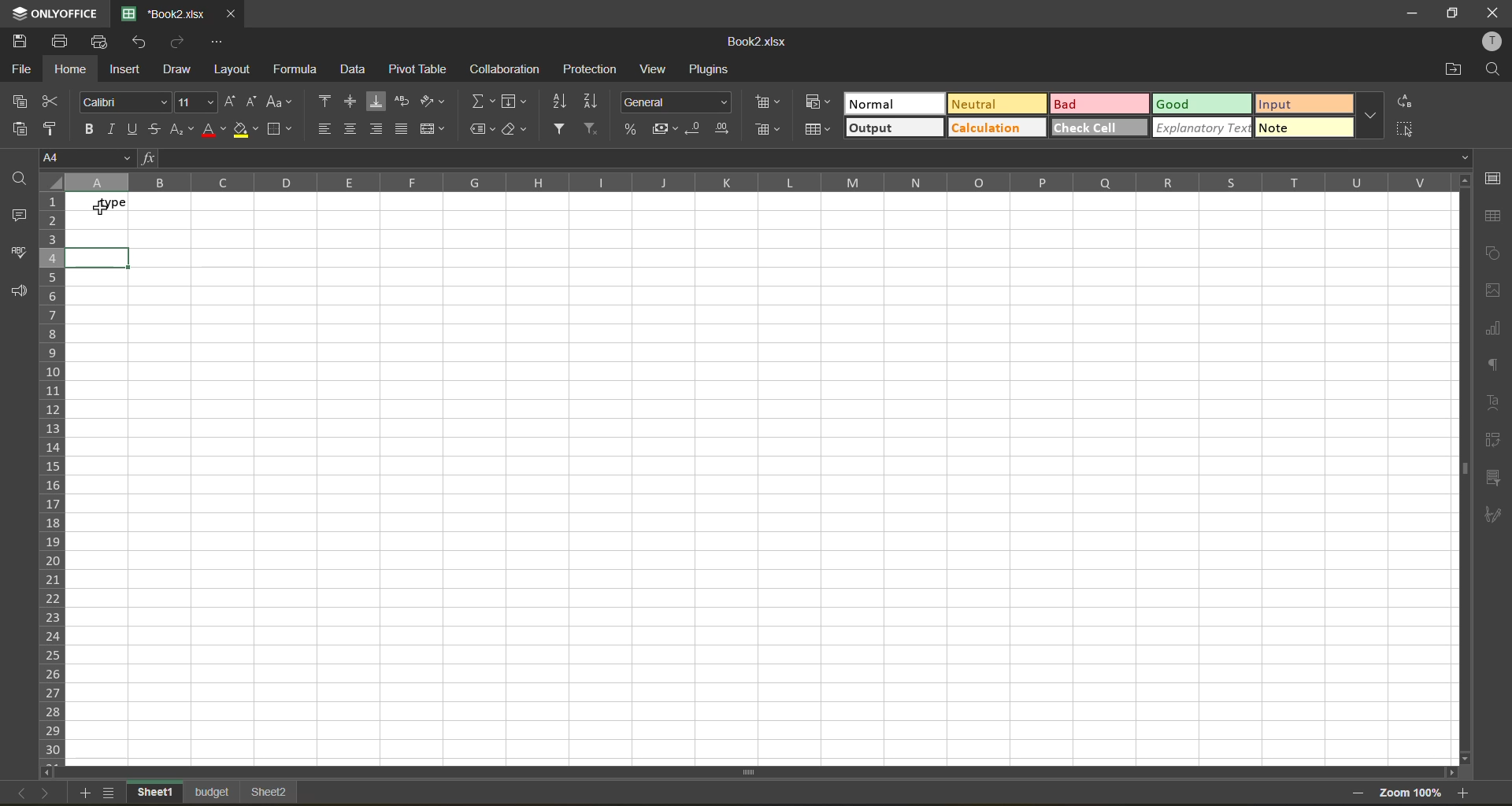 The image size is (1512, 806). Describe the element at coordinates (46, 794) in the screenshot. I see `next` at that location.